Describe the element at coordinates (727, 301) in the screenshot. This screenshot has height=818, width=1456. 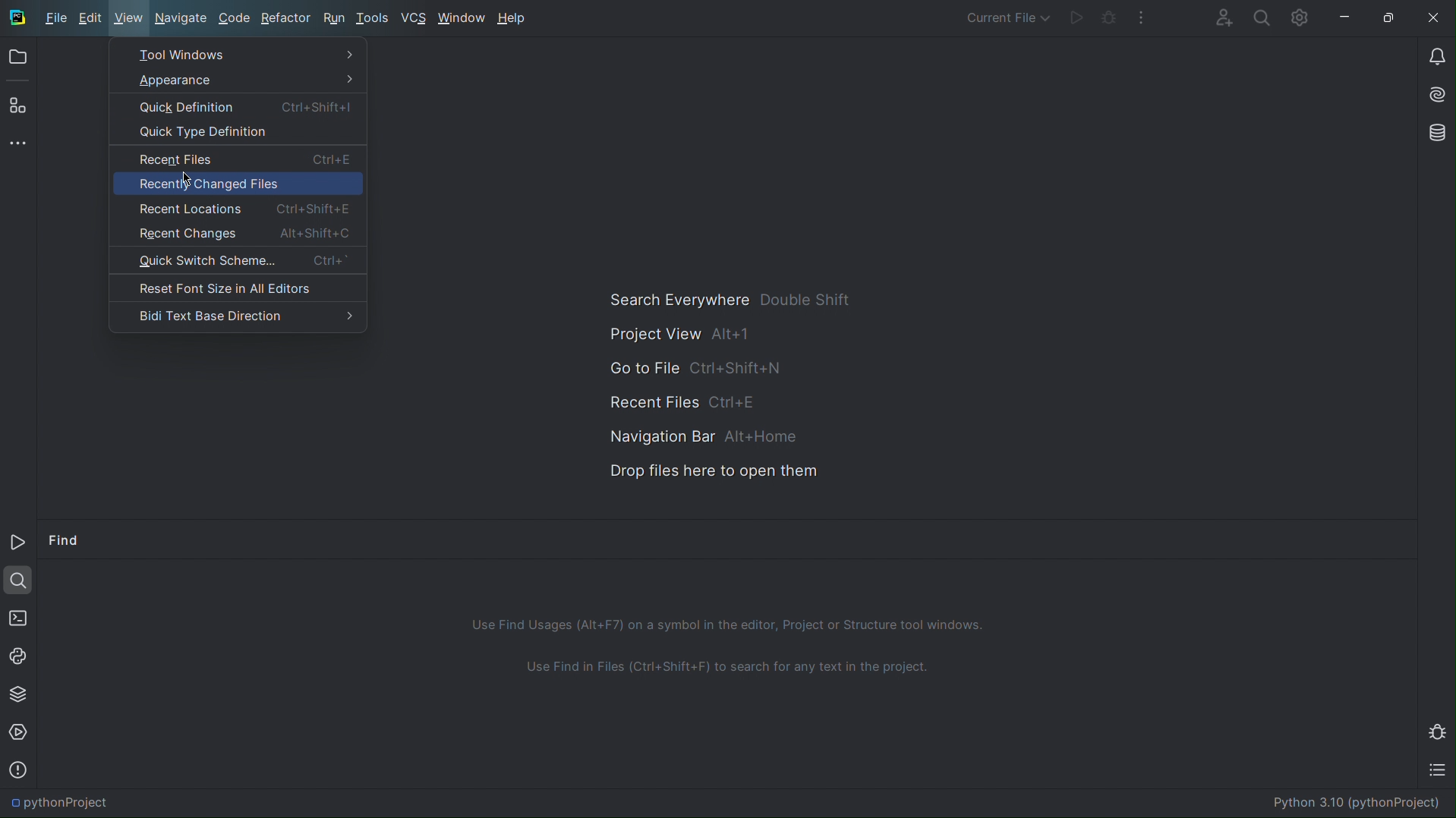
I see `Search Everywhere` at that location.